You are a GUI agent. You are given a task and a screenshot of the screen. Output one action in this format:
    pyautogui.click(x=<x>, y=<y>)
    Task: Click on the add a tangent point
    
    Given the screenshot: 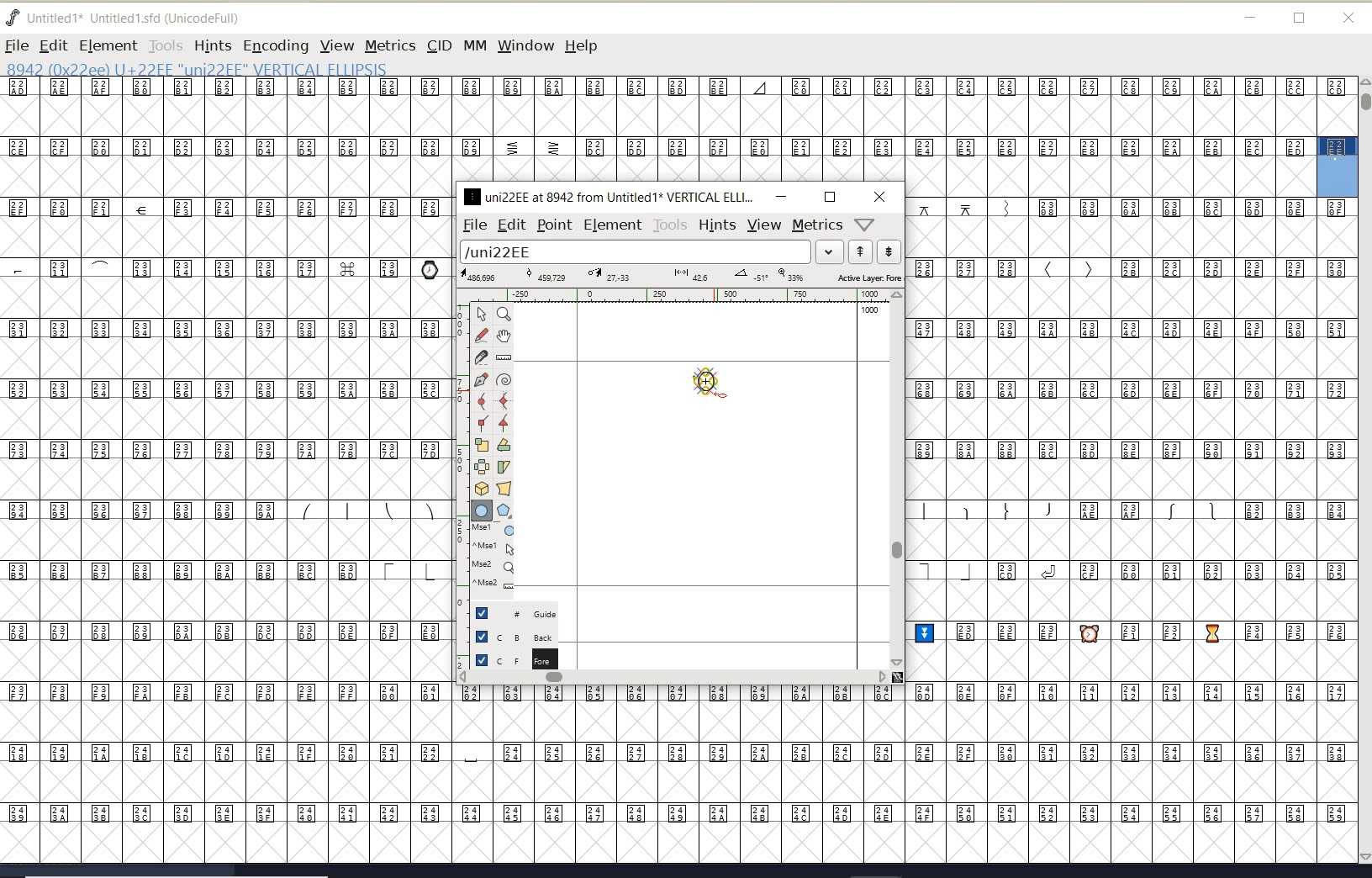 What is the action you would take?
    pyautogui.click(x=502, y=420)
    